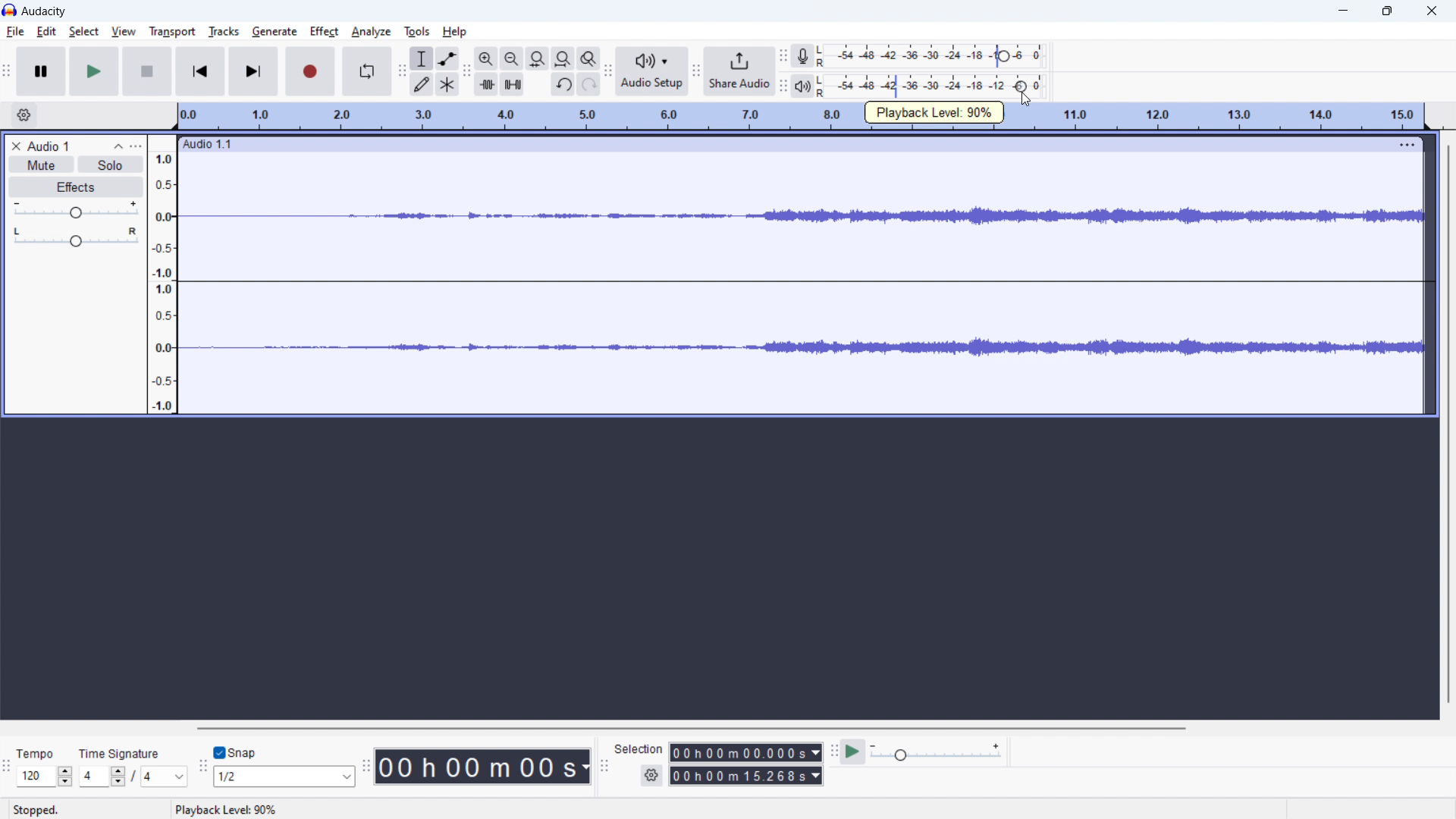 The width and height of the screenshot is (1456, 819). What do you see at coordinates (447, 84) in the screenshot?
I see `multi tool` at bounding box center [447, 84].